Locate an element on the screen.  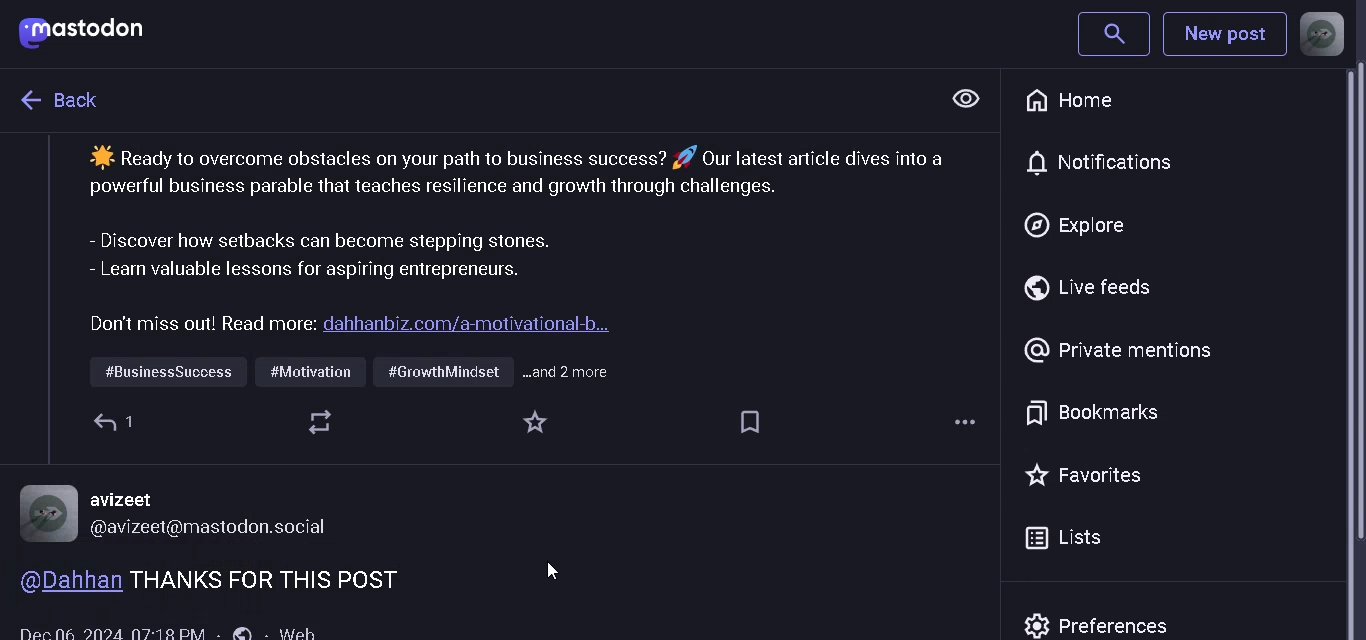
#GrowthMindset is located at coordinates (442, 373).